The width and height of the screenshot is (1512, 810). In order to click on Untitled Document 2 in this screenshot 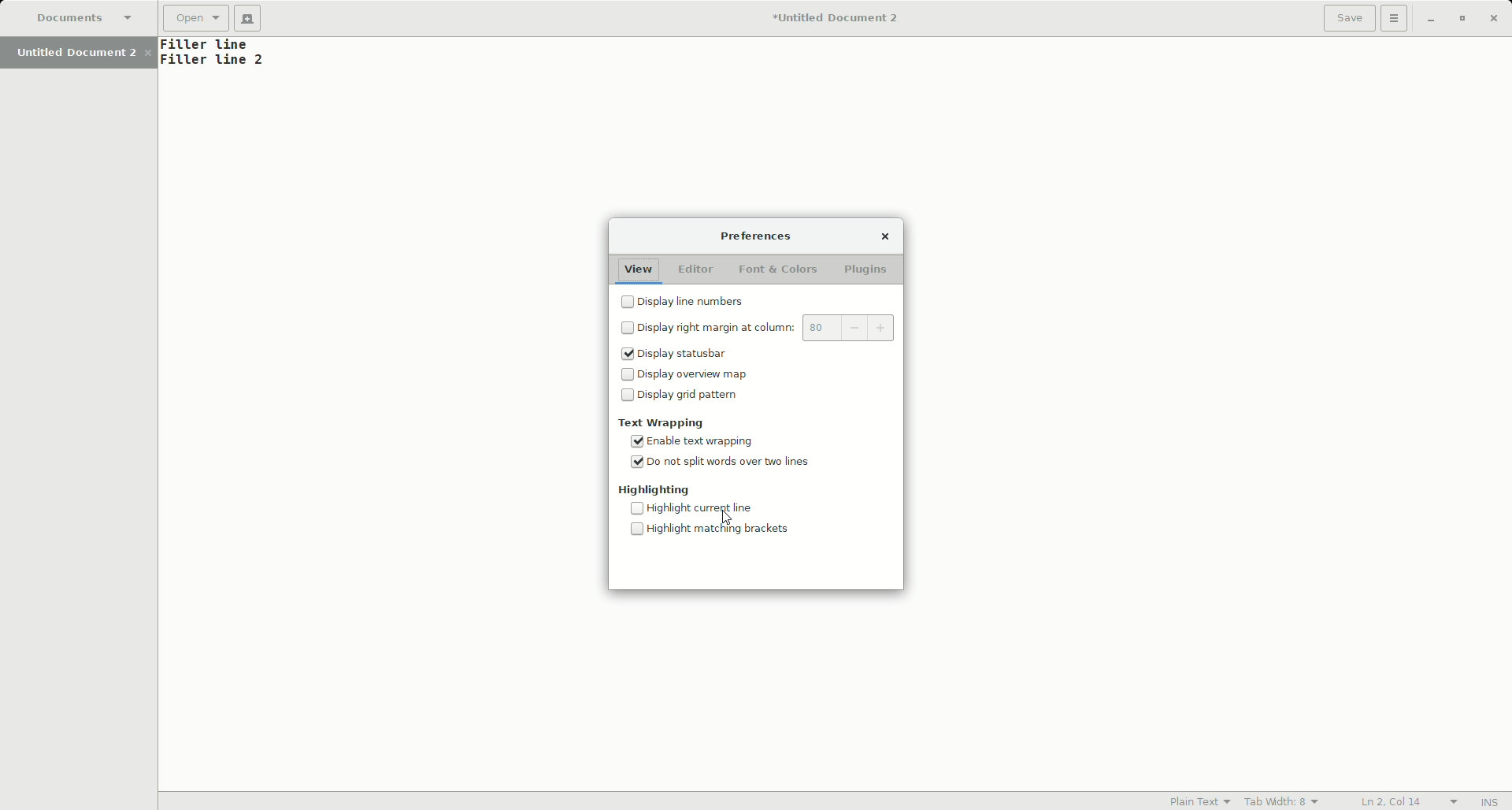, I will do `click(828, 20)`.